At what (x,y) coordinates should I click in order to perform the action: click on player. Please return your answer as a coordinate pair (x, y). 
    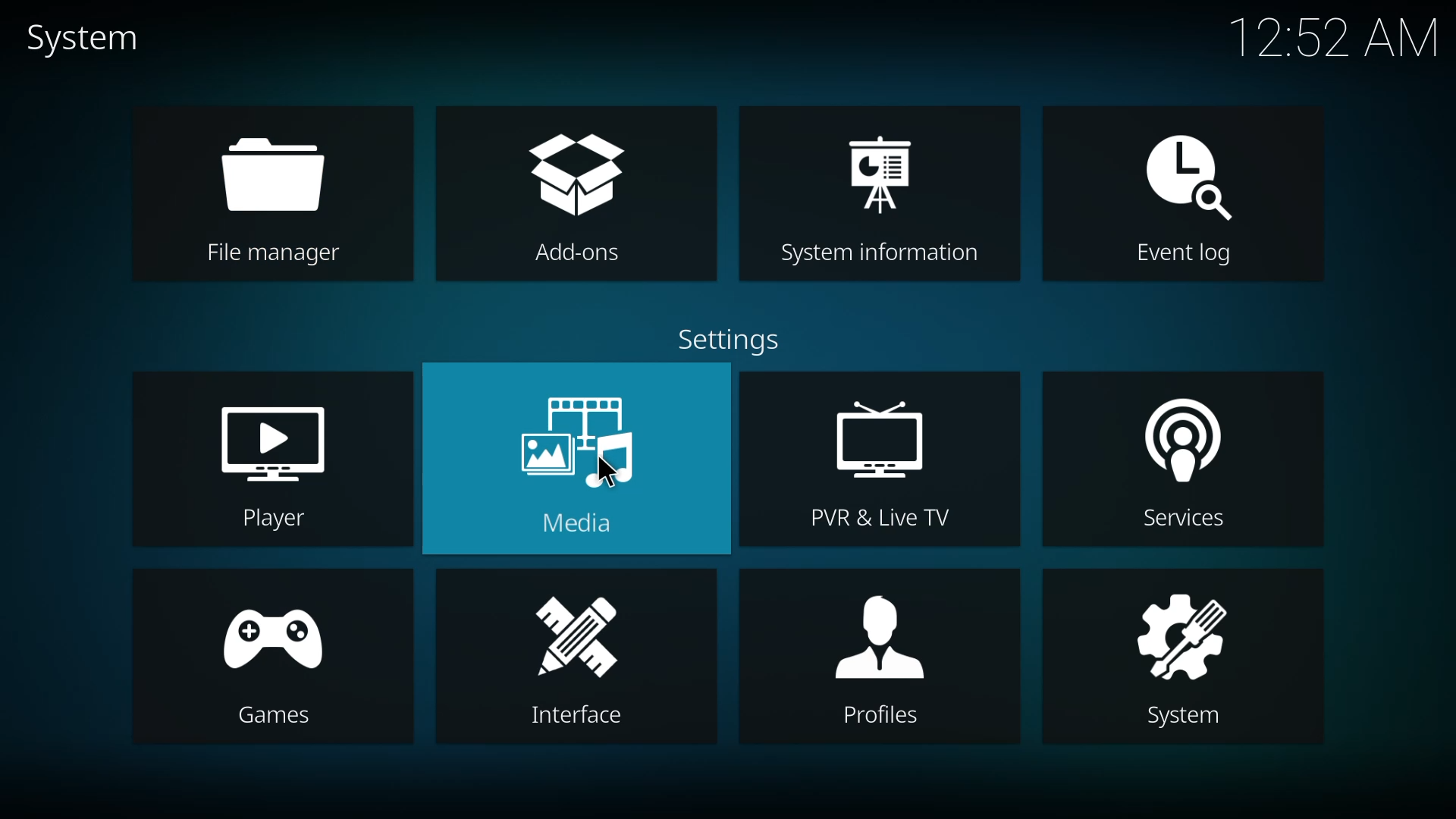
    Looking at the image, I should click on (268, 438).